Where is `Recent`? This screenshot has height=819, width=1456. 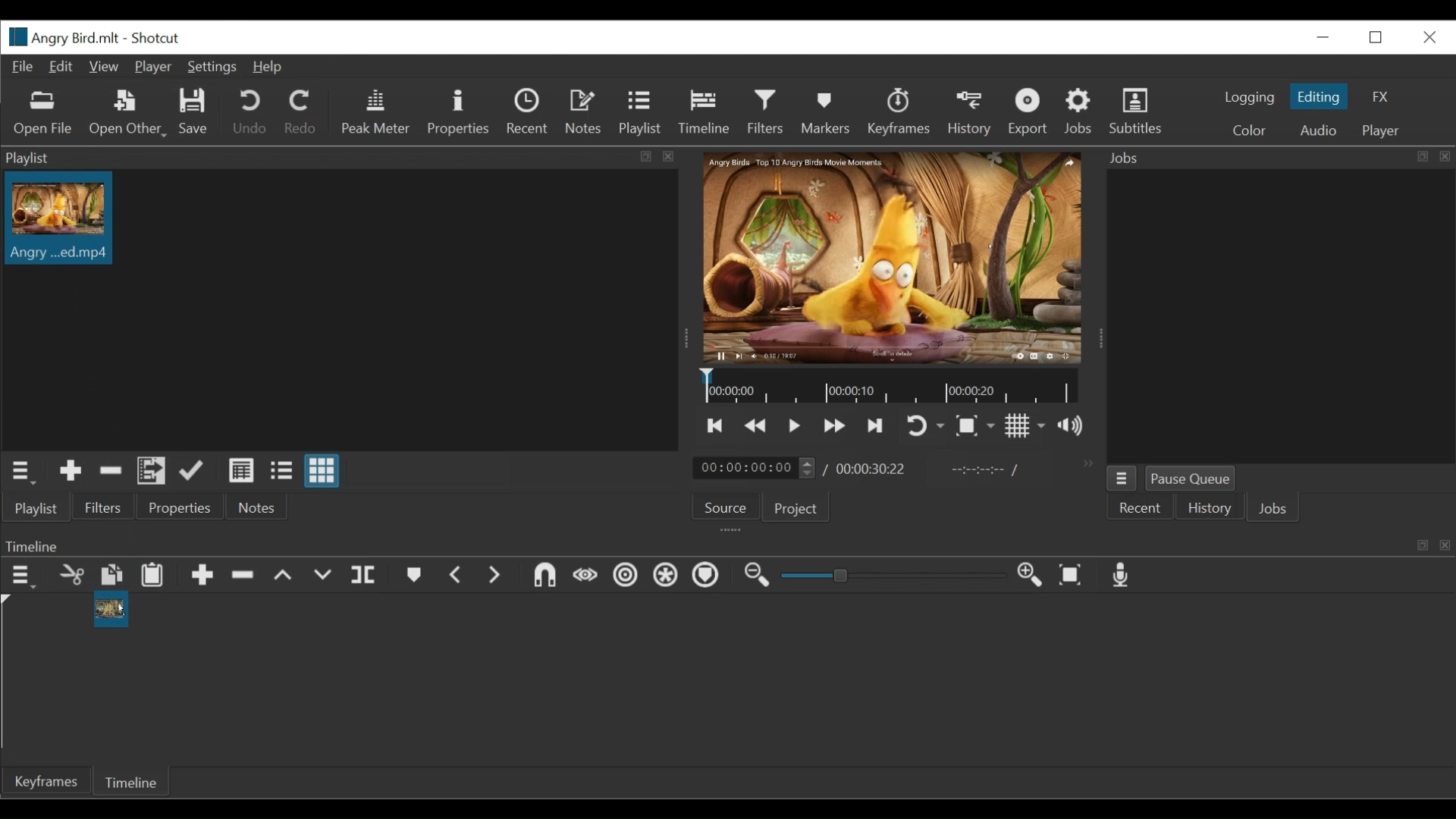 Recent is located at coordinates (529, 113).